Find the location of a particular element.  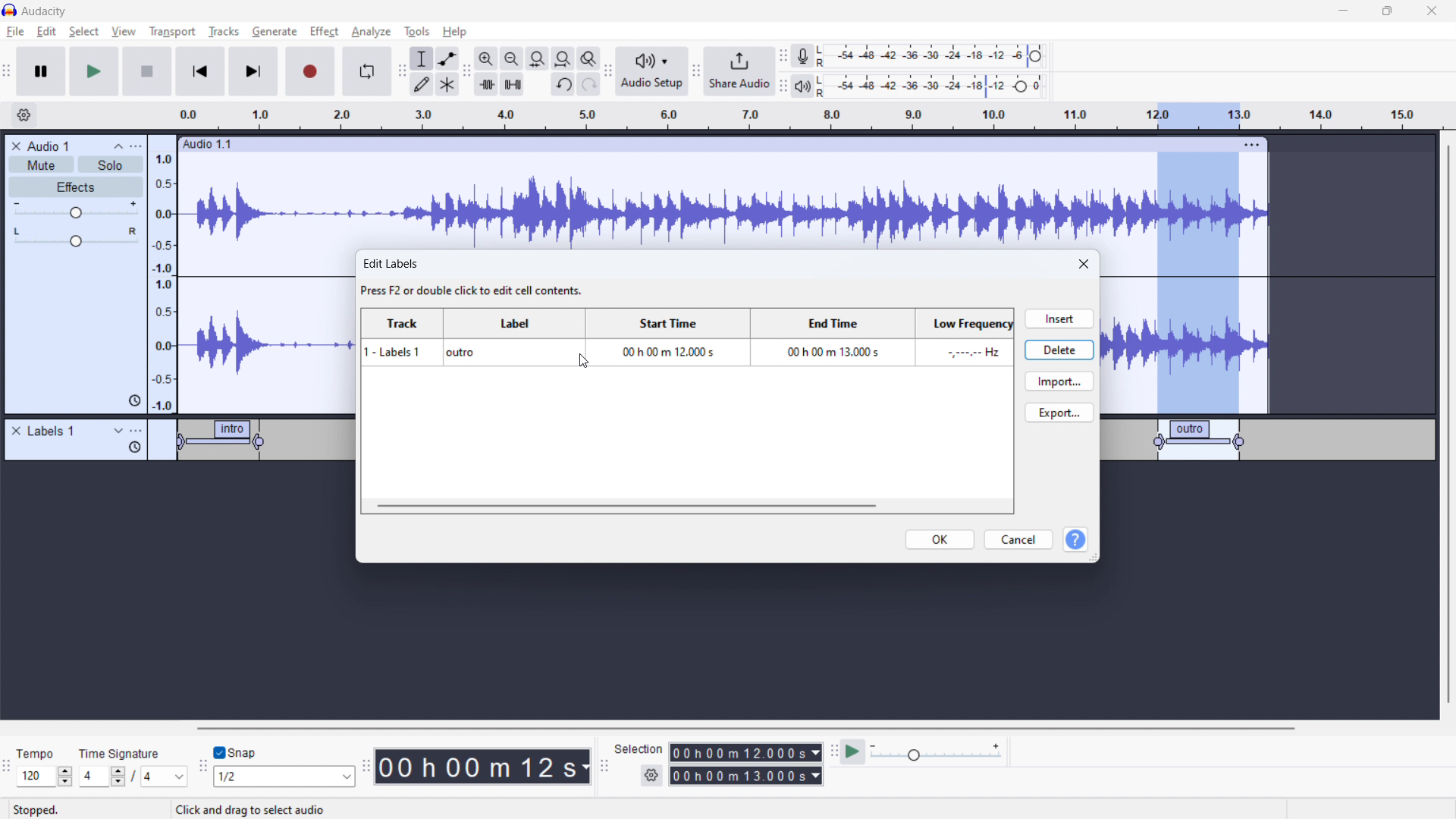

label is located at coordinates (514, 337).